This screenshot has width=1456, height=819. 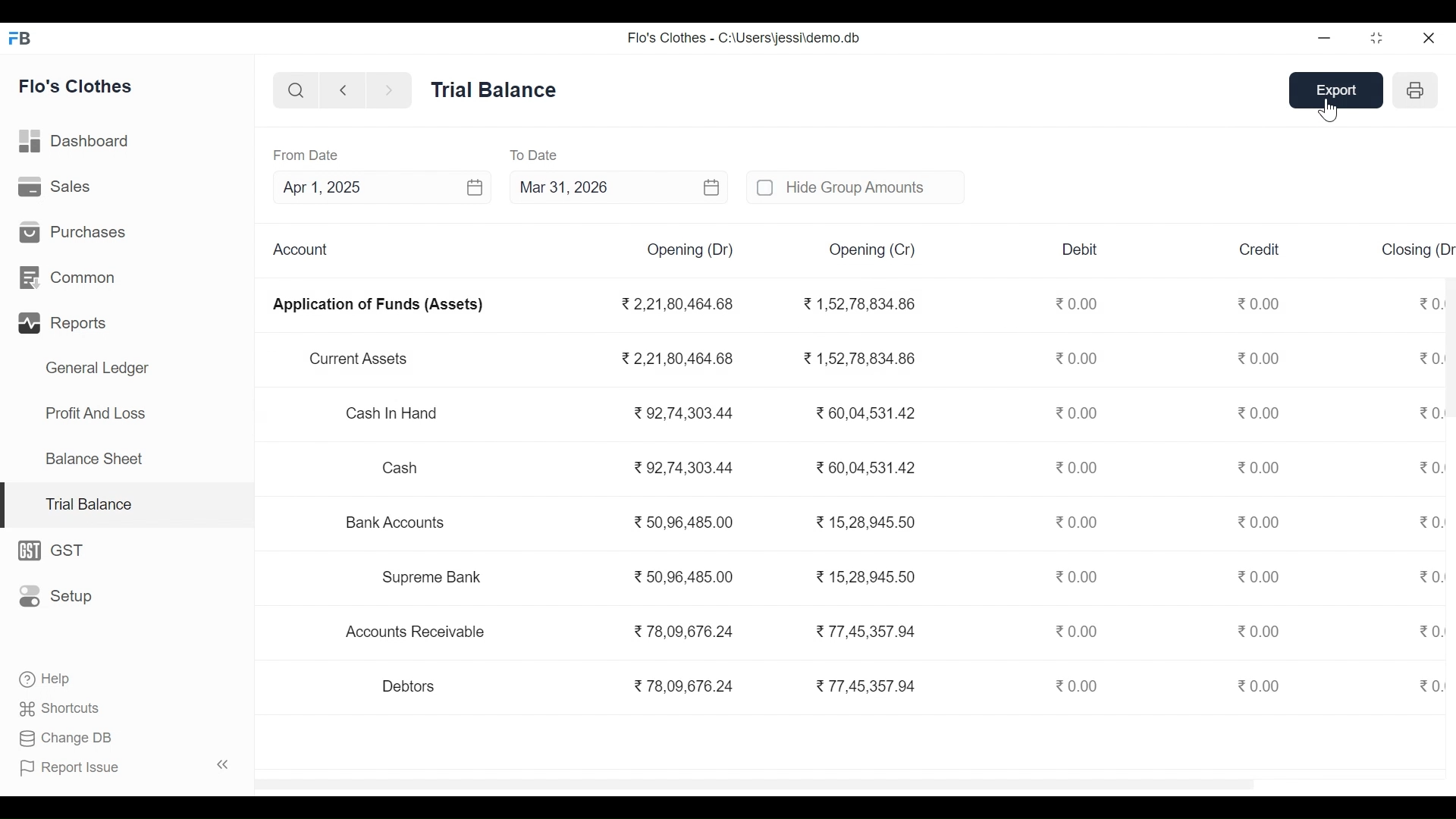 I want to click on Opening (Dr), so click(x=689, y=250).